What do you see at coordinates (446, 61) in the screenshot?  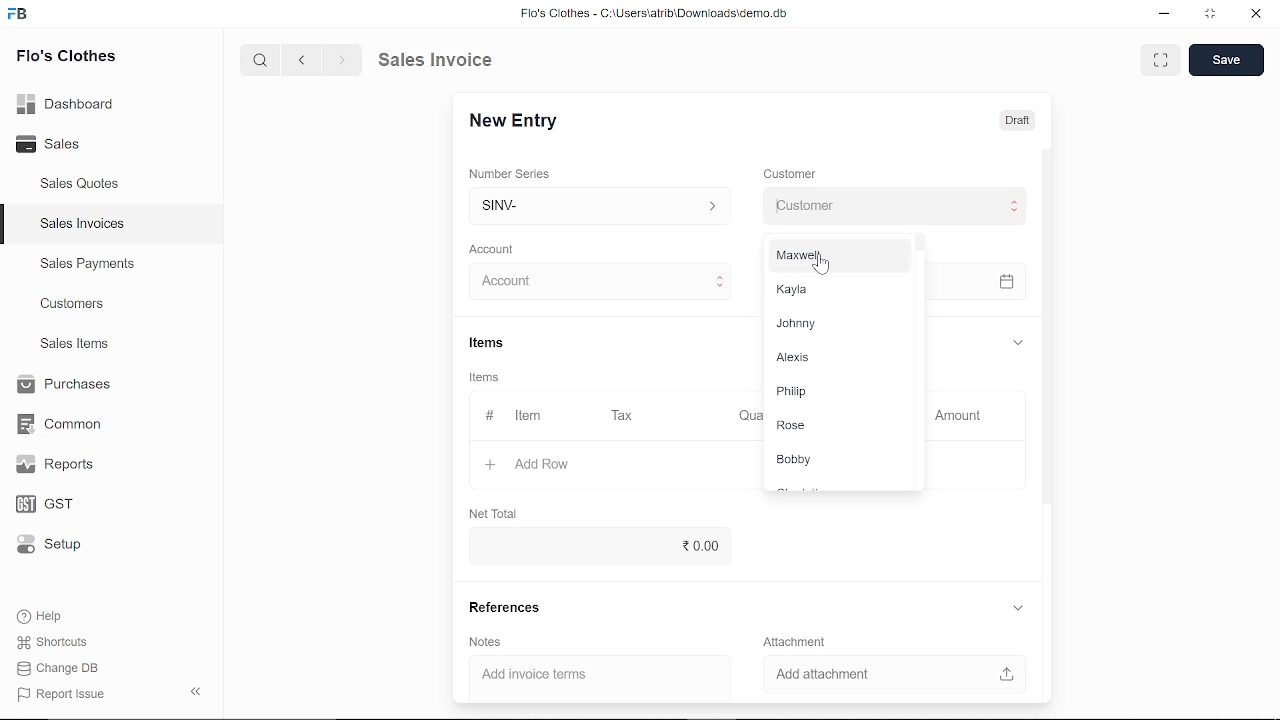 I see ` Sales Invoice` at bounding box center [446, 61].